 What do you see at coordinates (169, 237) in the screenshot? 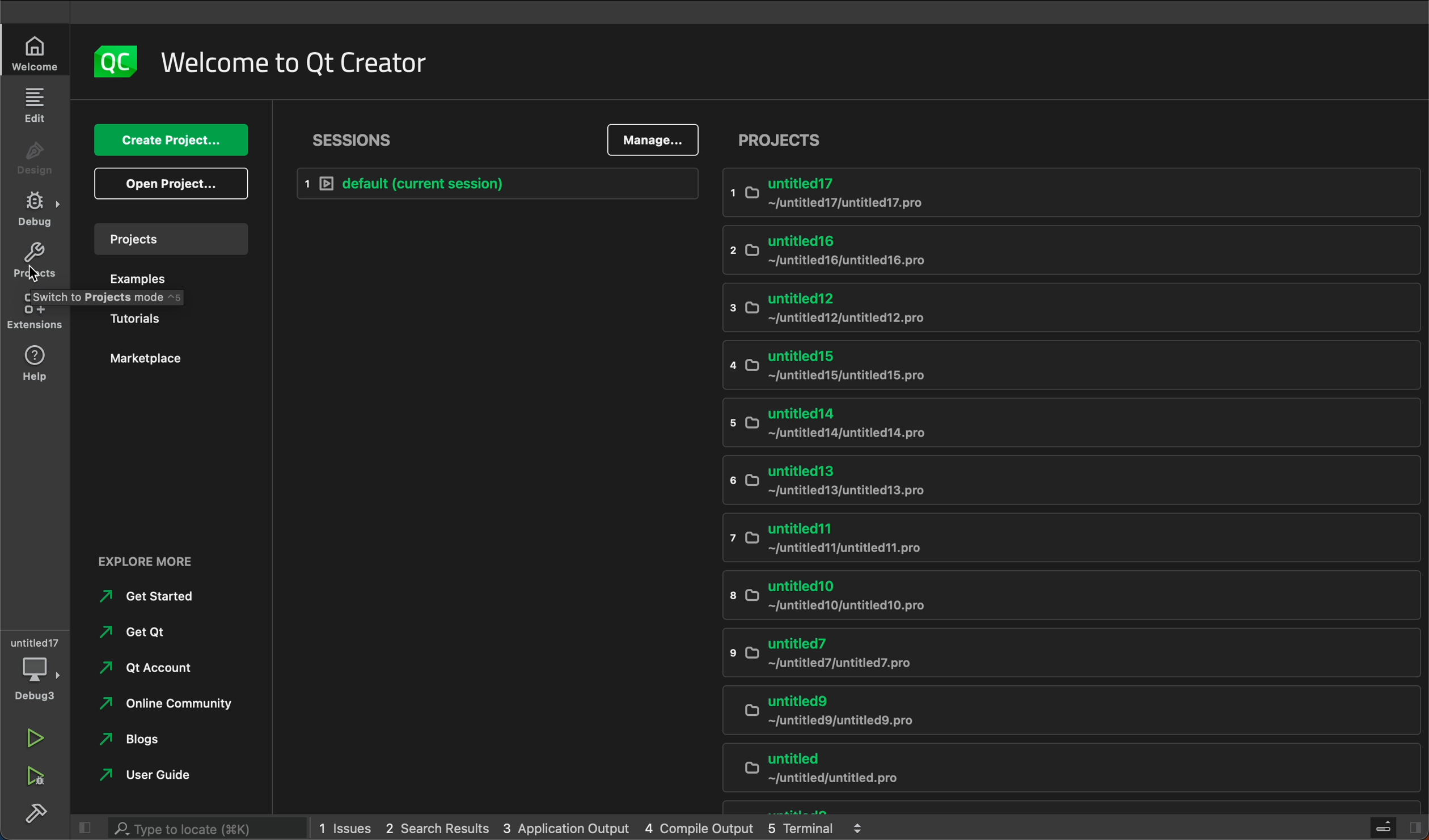
I see `projects` at bounding box center [169, 237].